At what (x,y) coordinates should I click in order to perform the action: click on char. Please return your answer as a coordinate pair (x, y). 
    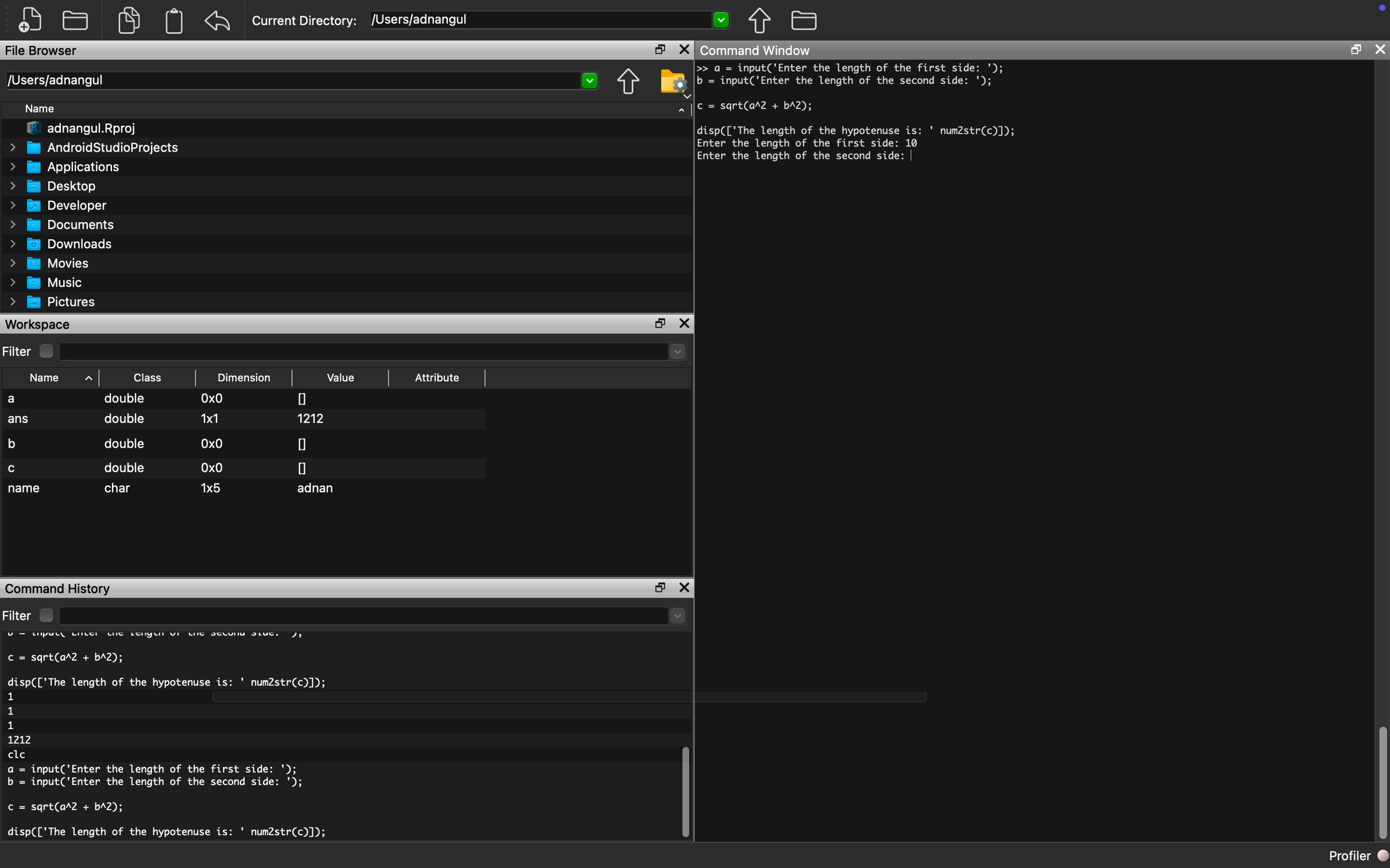
    Looking at the image, I should click on (121, 489).